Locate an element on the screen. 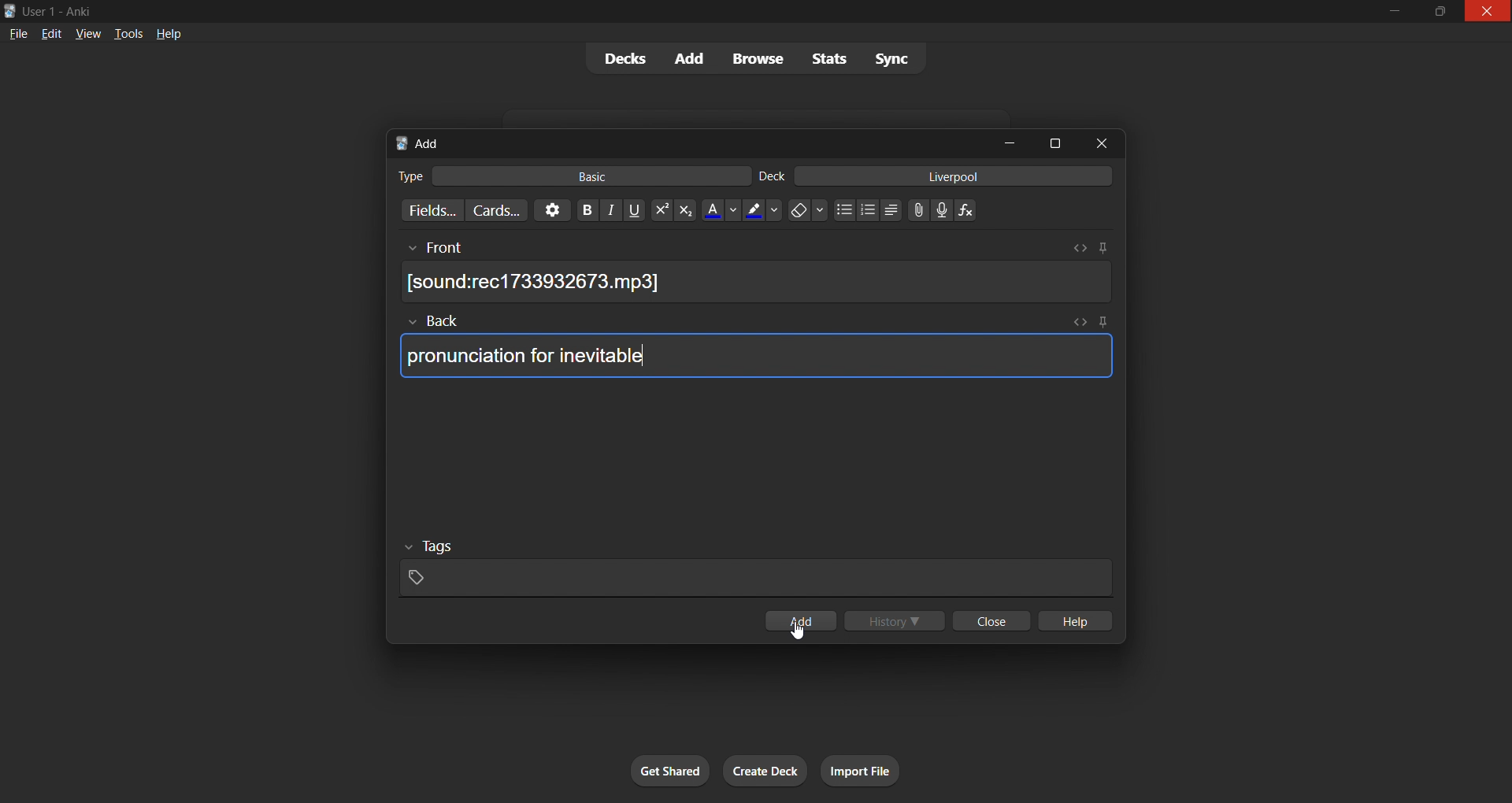 This screenshot has height=803, width=1512. sync is located at coordinates (894, 59).